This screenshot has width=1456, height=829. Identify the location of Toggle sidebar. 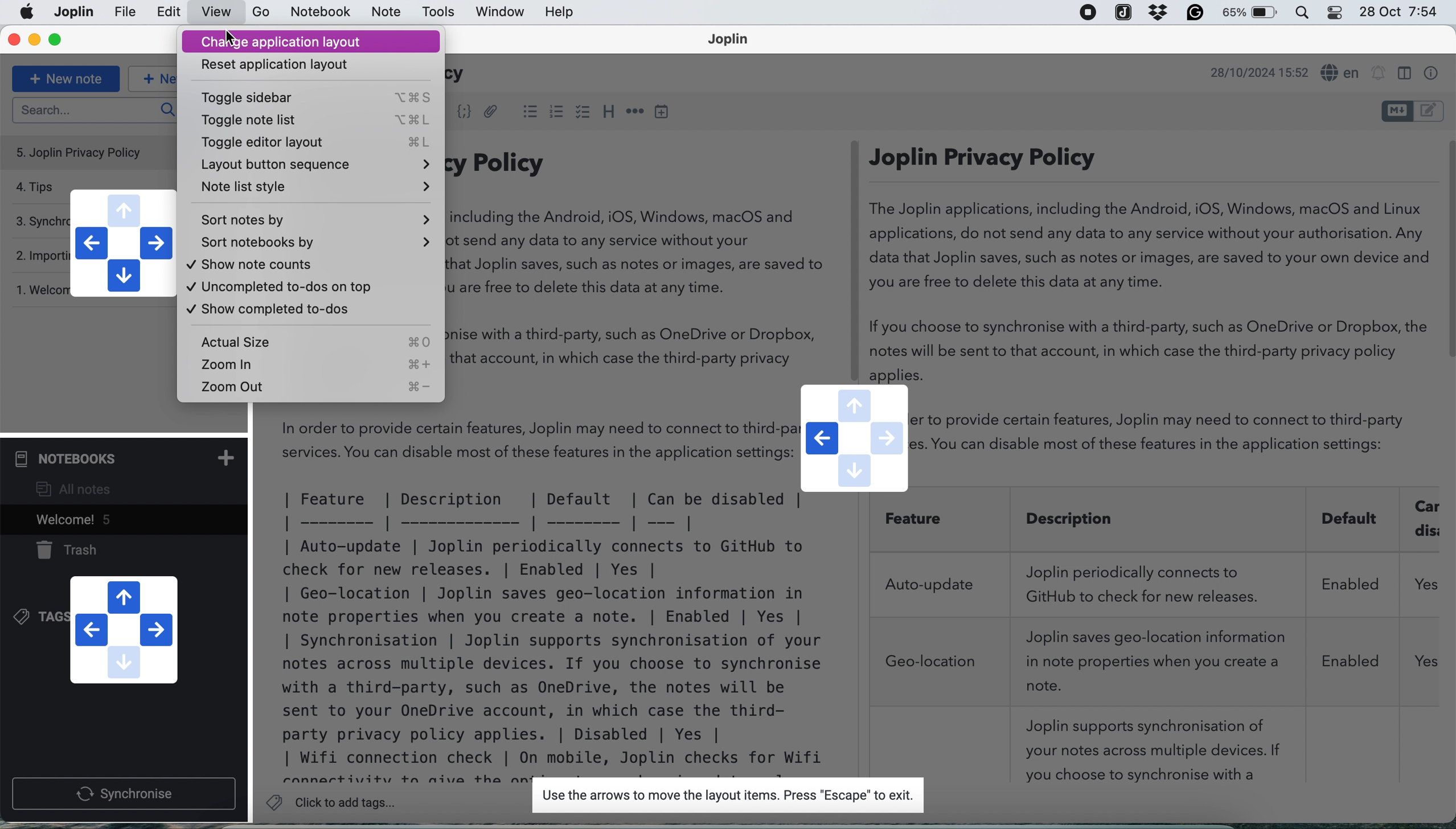
(313, 97).